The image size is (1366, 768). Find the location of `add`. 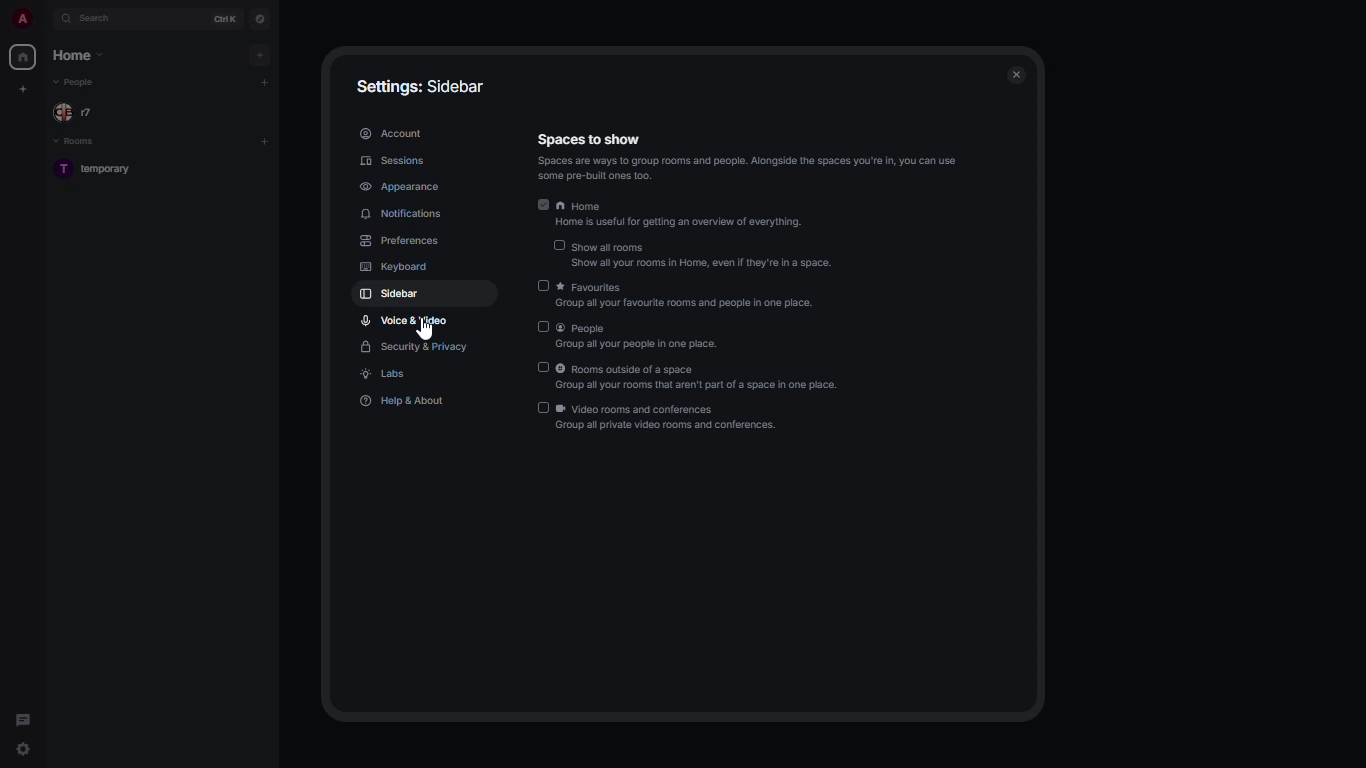

add is located at coordinates (262, 54).